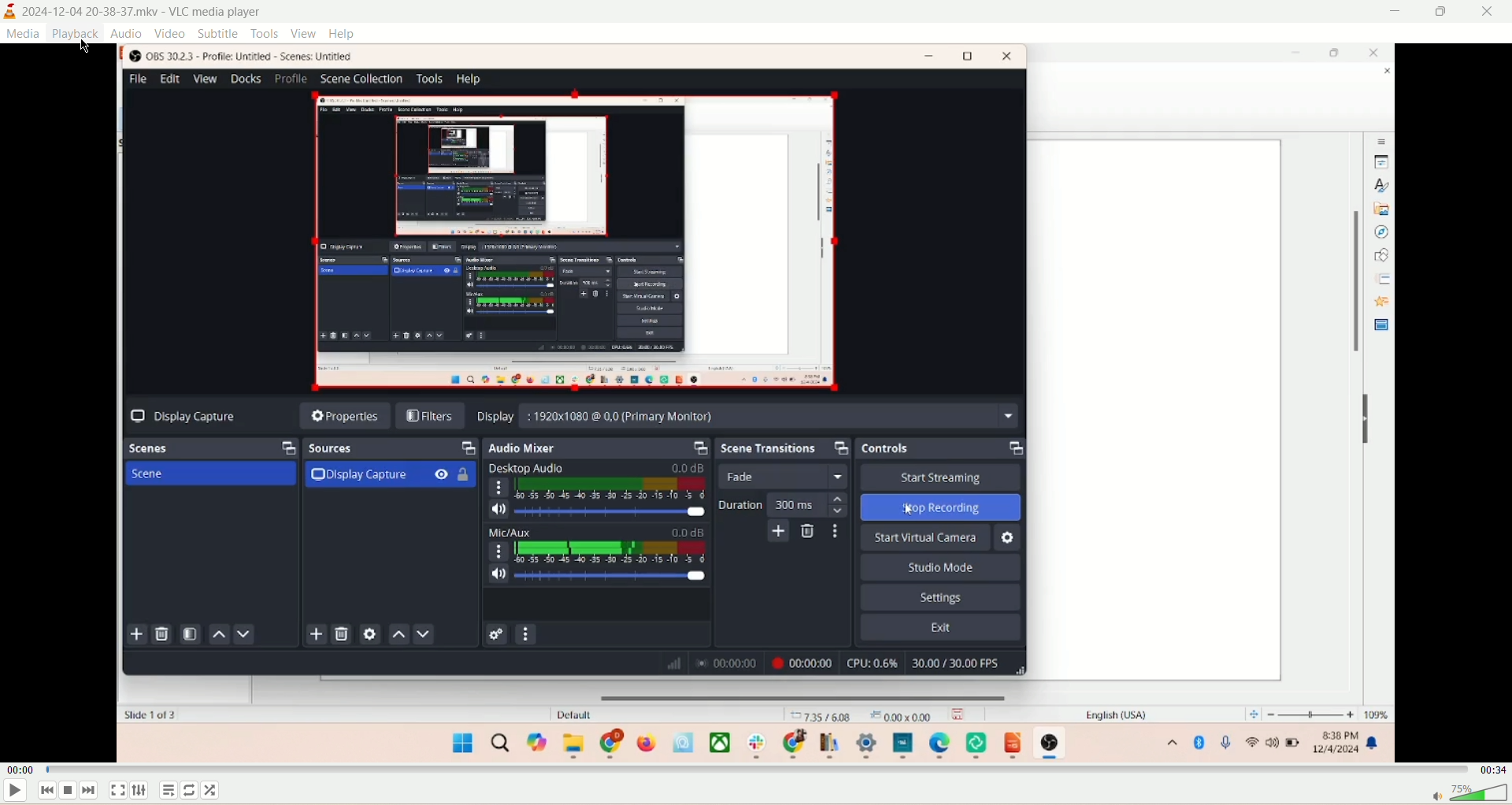 This screenshot has height=805, width=1512. I want to click on maximize, so click(1442, 14).